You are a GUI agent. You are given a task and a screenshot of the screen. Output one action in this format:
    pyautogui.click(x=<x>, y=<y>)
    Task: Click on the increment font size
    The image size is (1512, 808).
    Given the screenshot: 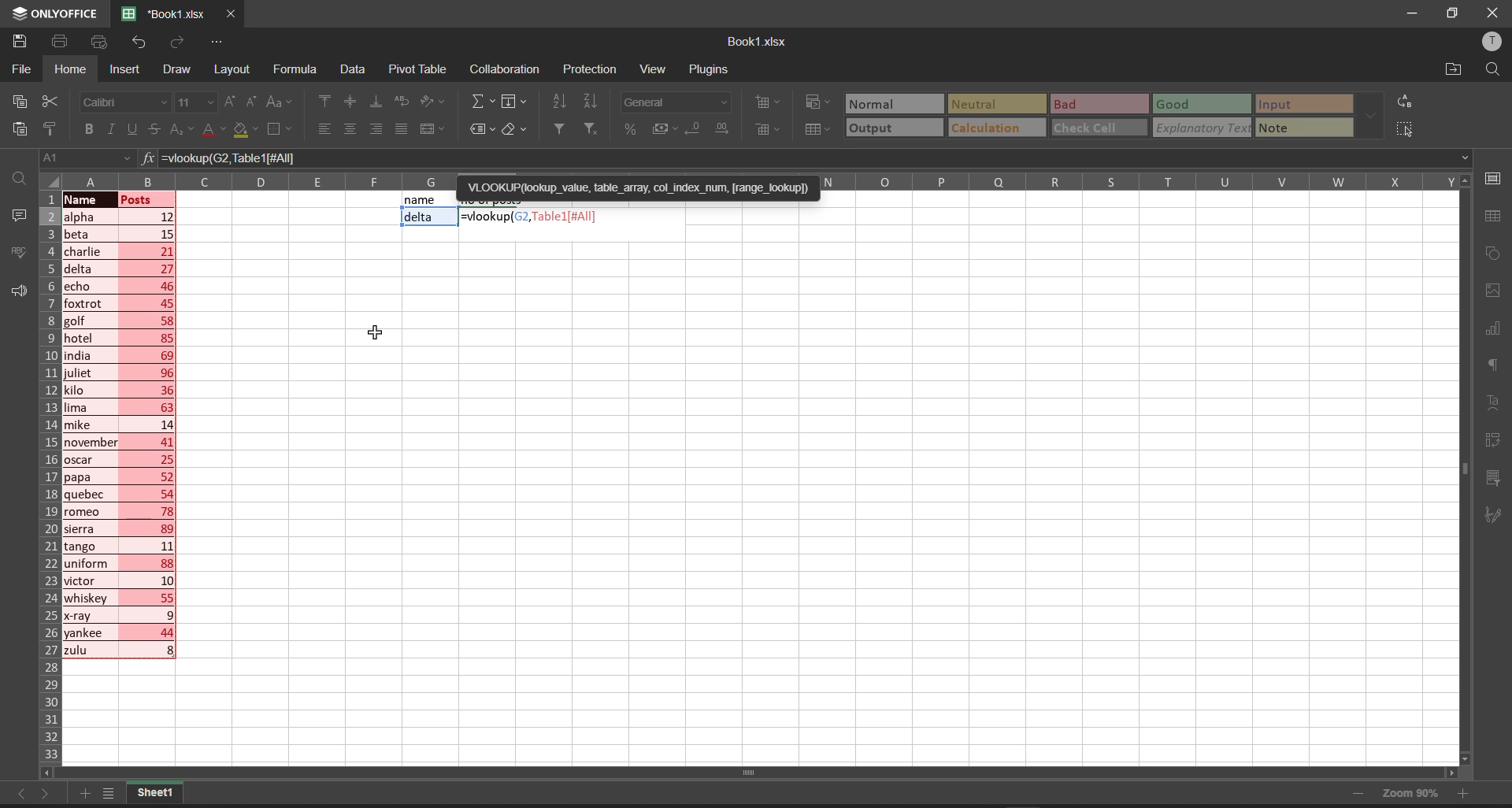 What is the action you would take?
    pyautogui.click(x=230, y=102)
    